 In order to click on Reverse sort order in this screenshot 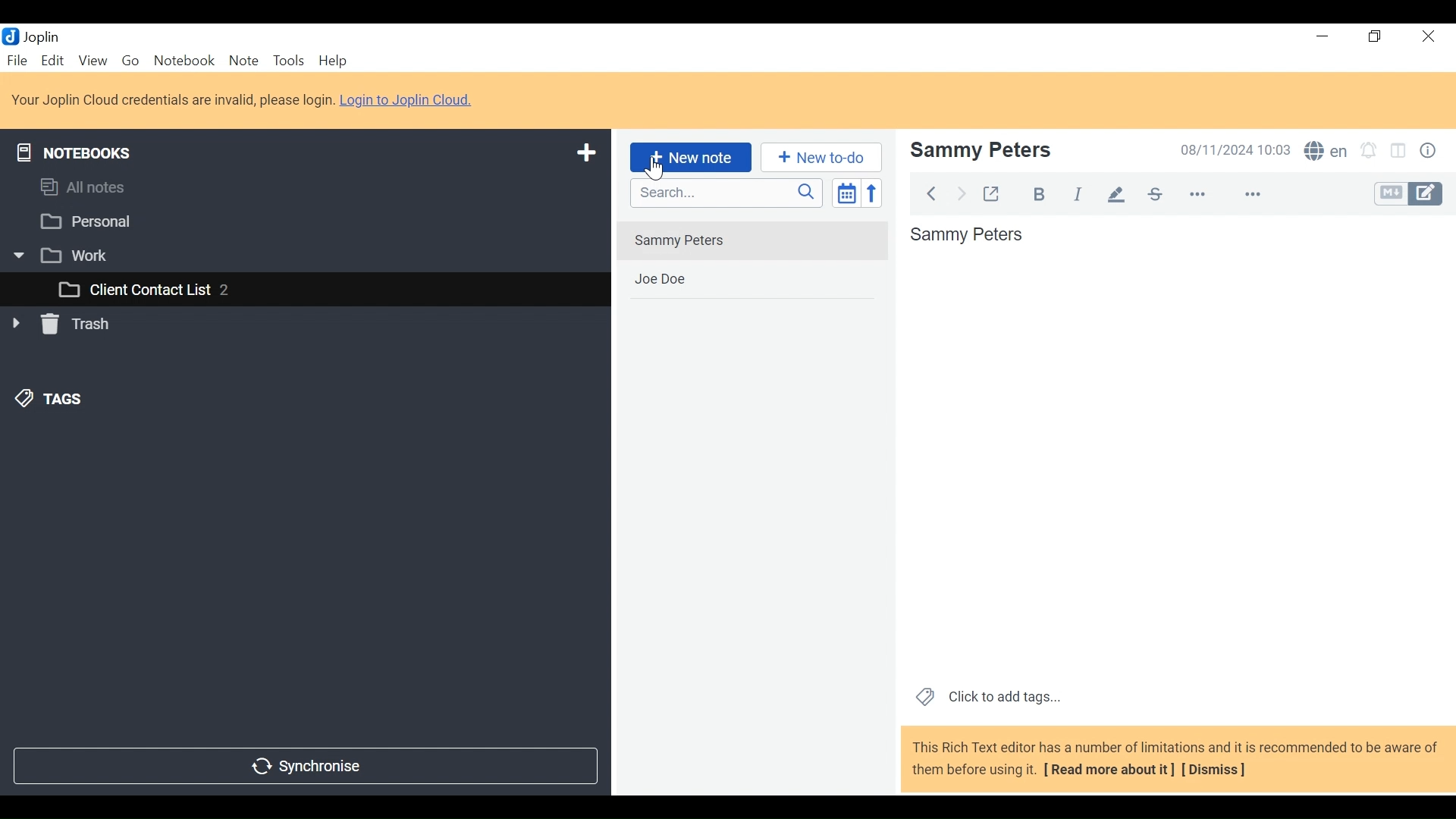, I will do `click(871, 193)`.